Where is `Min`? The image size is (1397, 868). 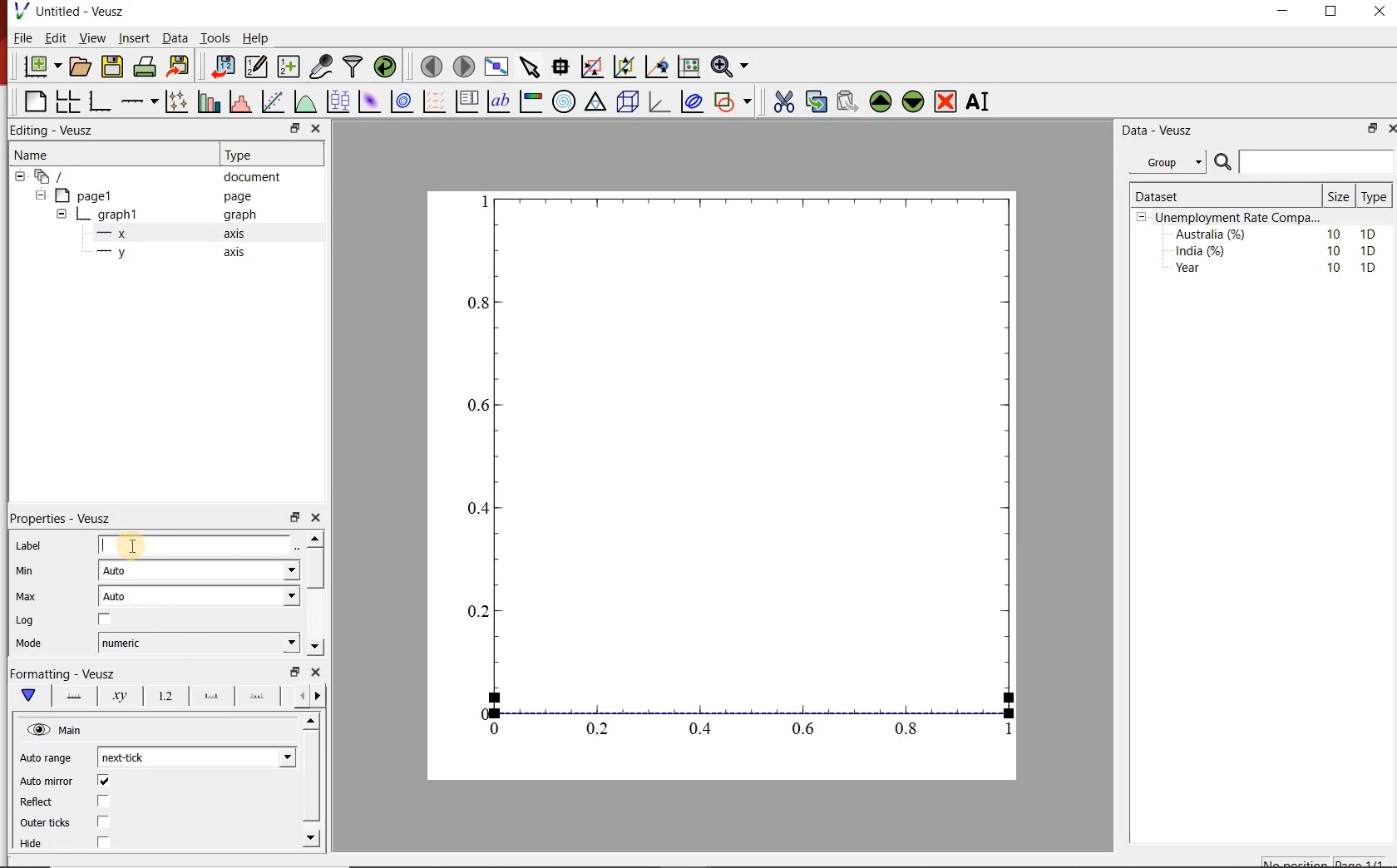 Min is located at coordinates (36, 572).